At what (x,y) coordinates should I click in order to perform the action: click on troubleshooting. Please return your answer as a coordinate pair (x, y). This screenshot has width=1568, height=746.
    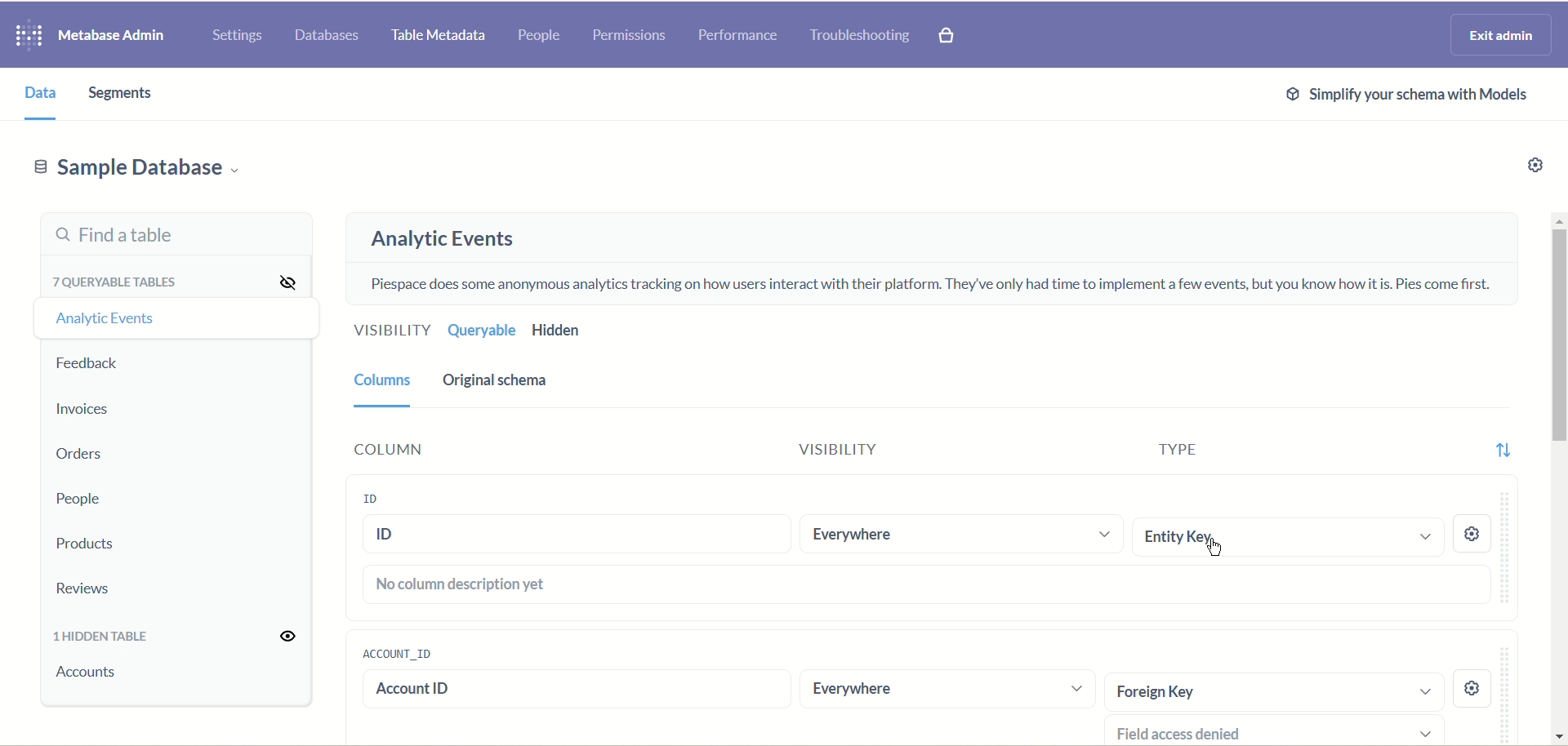
    Looking at the image, I should click on (860, 35).